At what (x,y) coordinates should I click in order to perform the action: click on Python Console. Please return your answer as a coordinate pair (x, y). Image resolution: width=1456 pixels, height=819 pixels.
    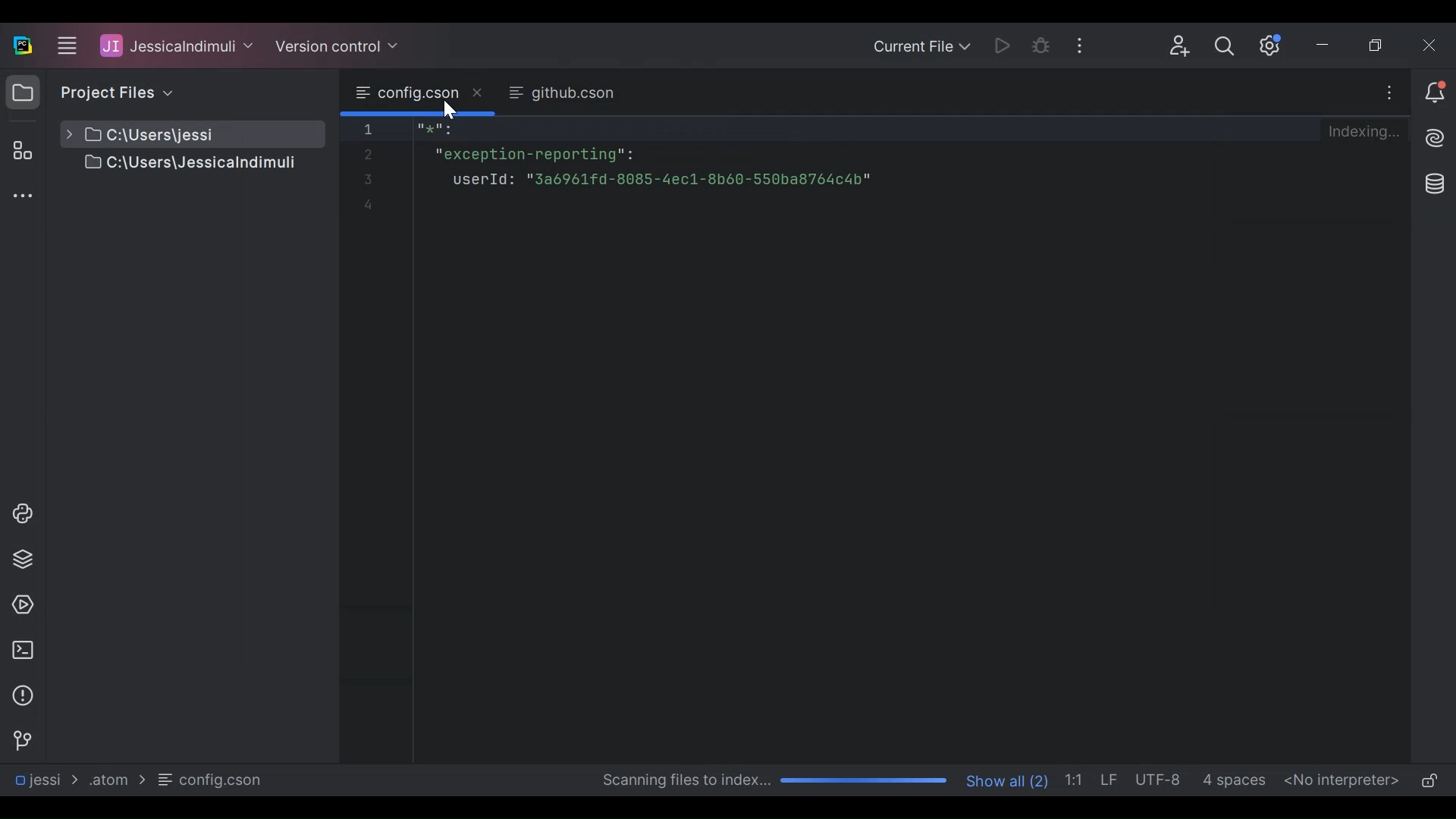
    Looking at the image, I should click on (22, 513).